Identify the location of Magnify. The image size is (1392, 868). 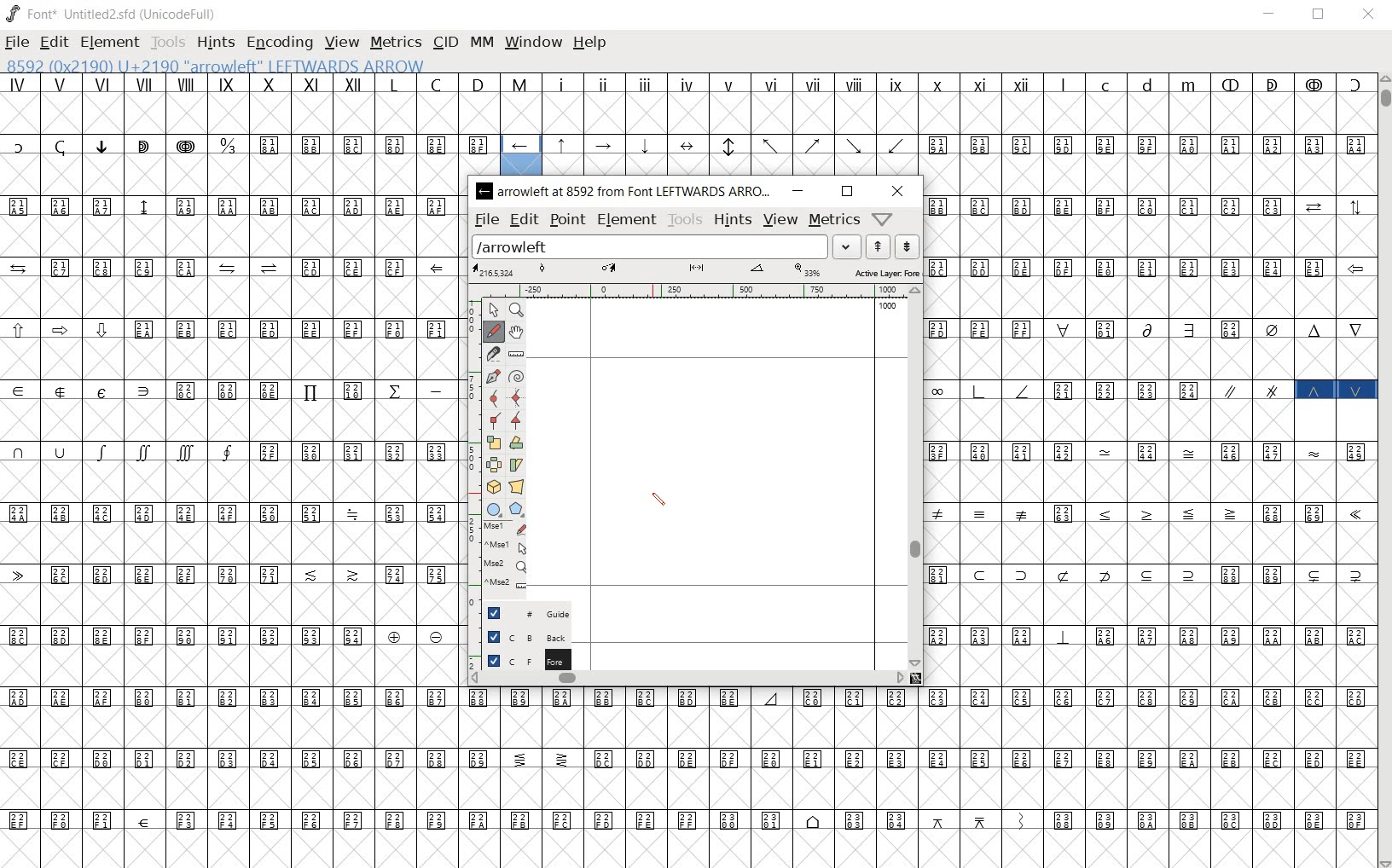
(517, 310).